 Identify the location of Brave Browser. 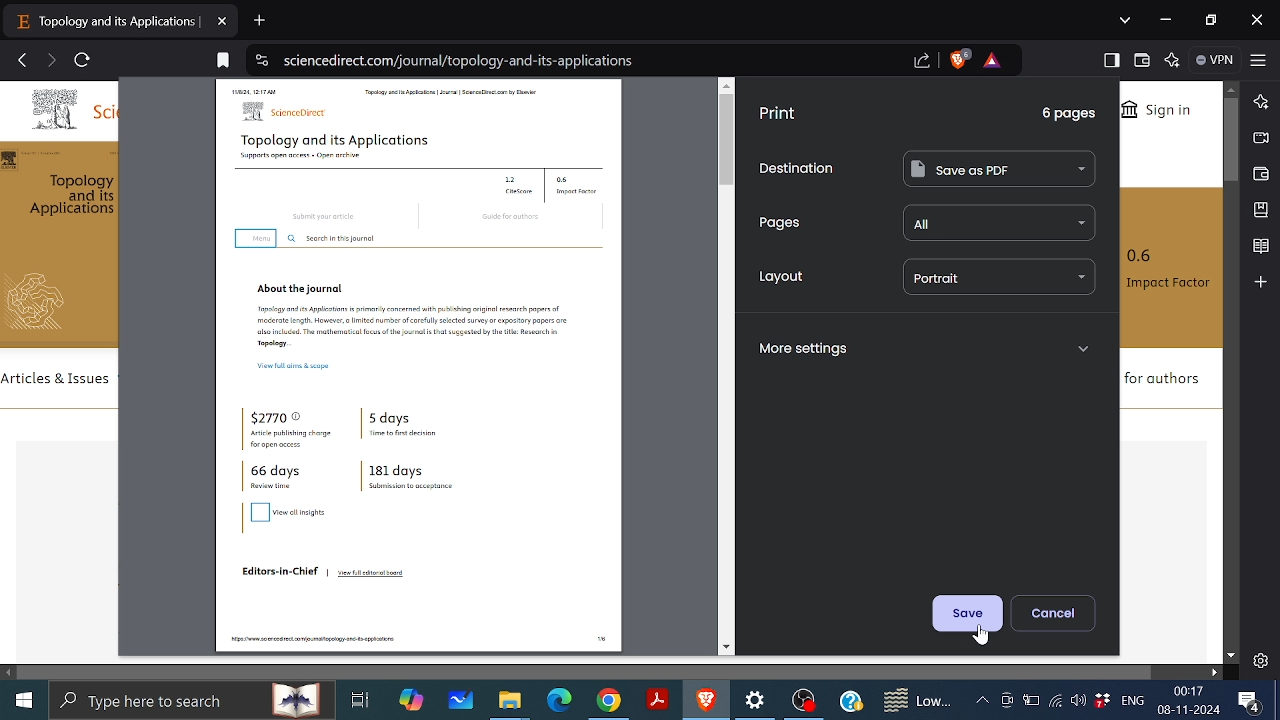
(706, 701).